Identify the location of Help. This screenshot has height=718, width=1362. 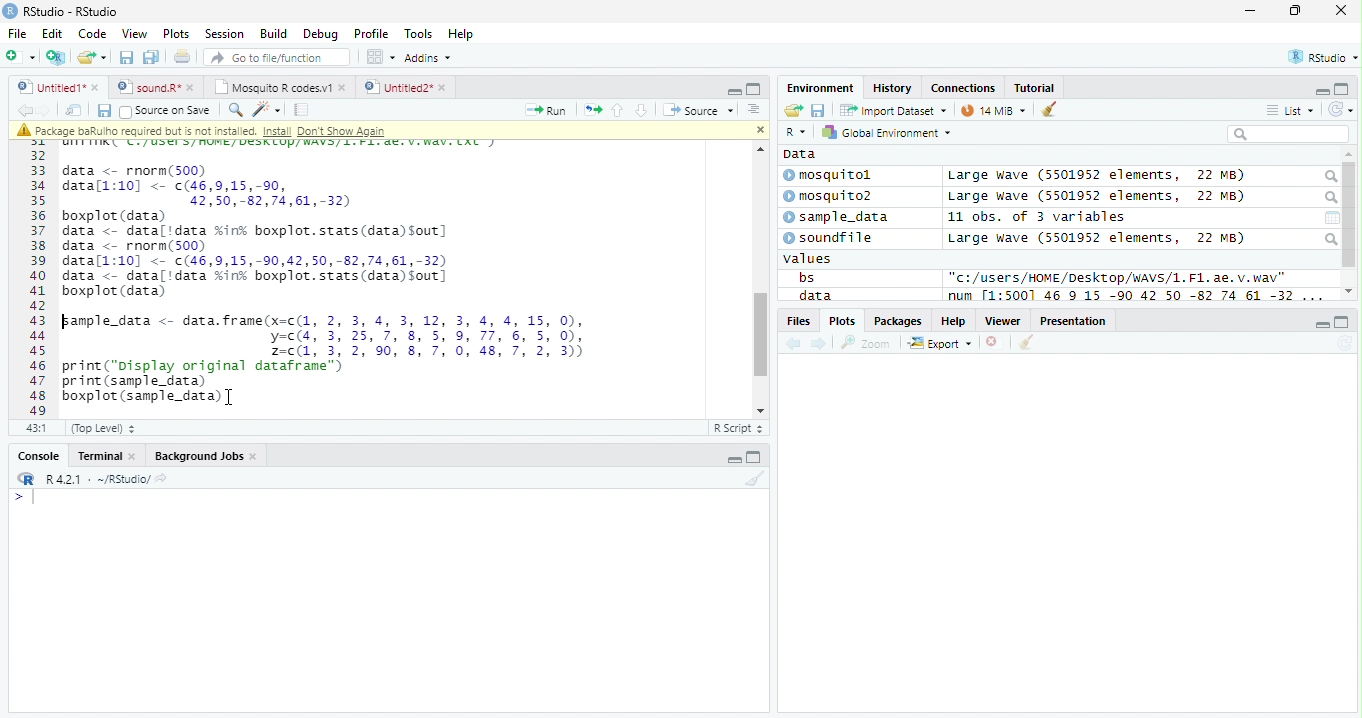
(463, 34).